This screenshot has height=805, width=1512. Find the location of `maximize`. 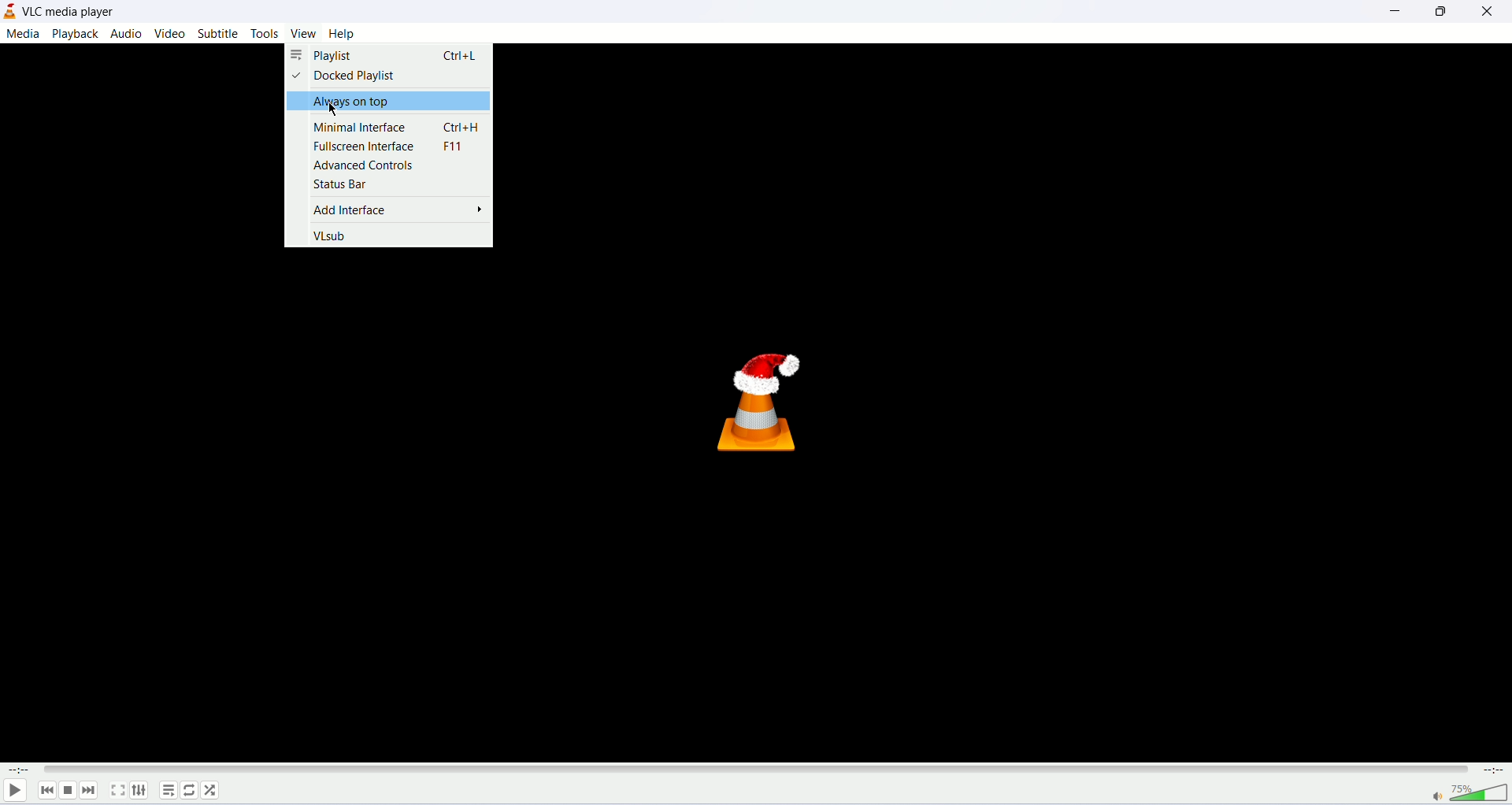

maximize is located at coordinates (1439, 13).